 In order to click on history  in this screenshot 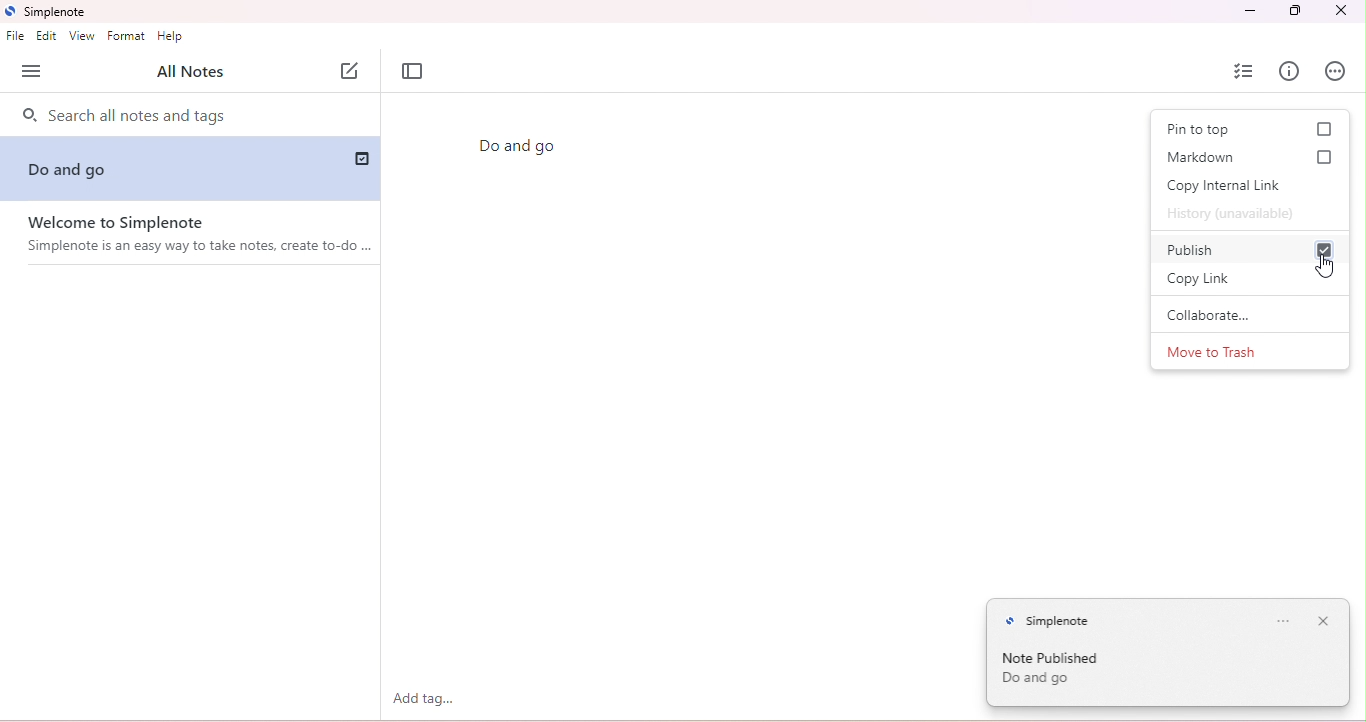, I will do `click(1232, 215)`.